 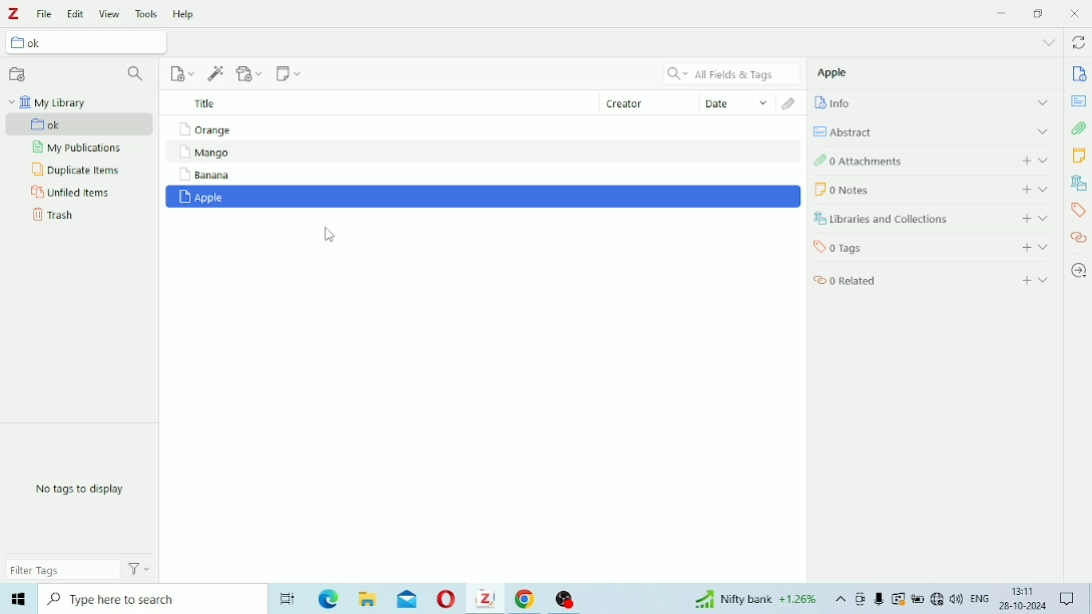 I want to click on more, so click(x=1049, y=41).